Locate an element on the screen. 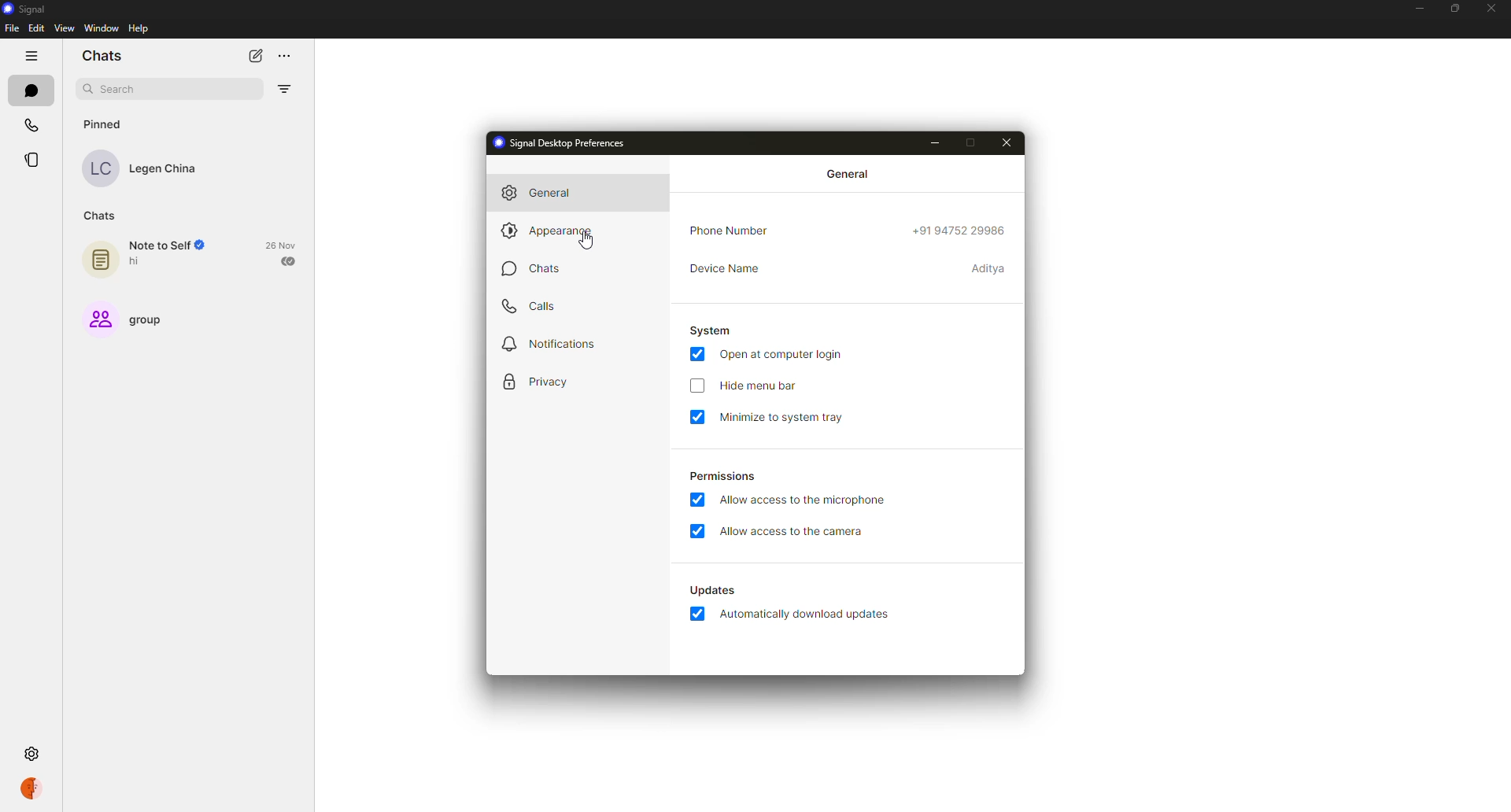 The image size is (1511, 812). minimize to system tray is located at coordinates (781, 416).